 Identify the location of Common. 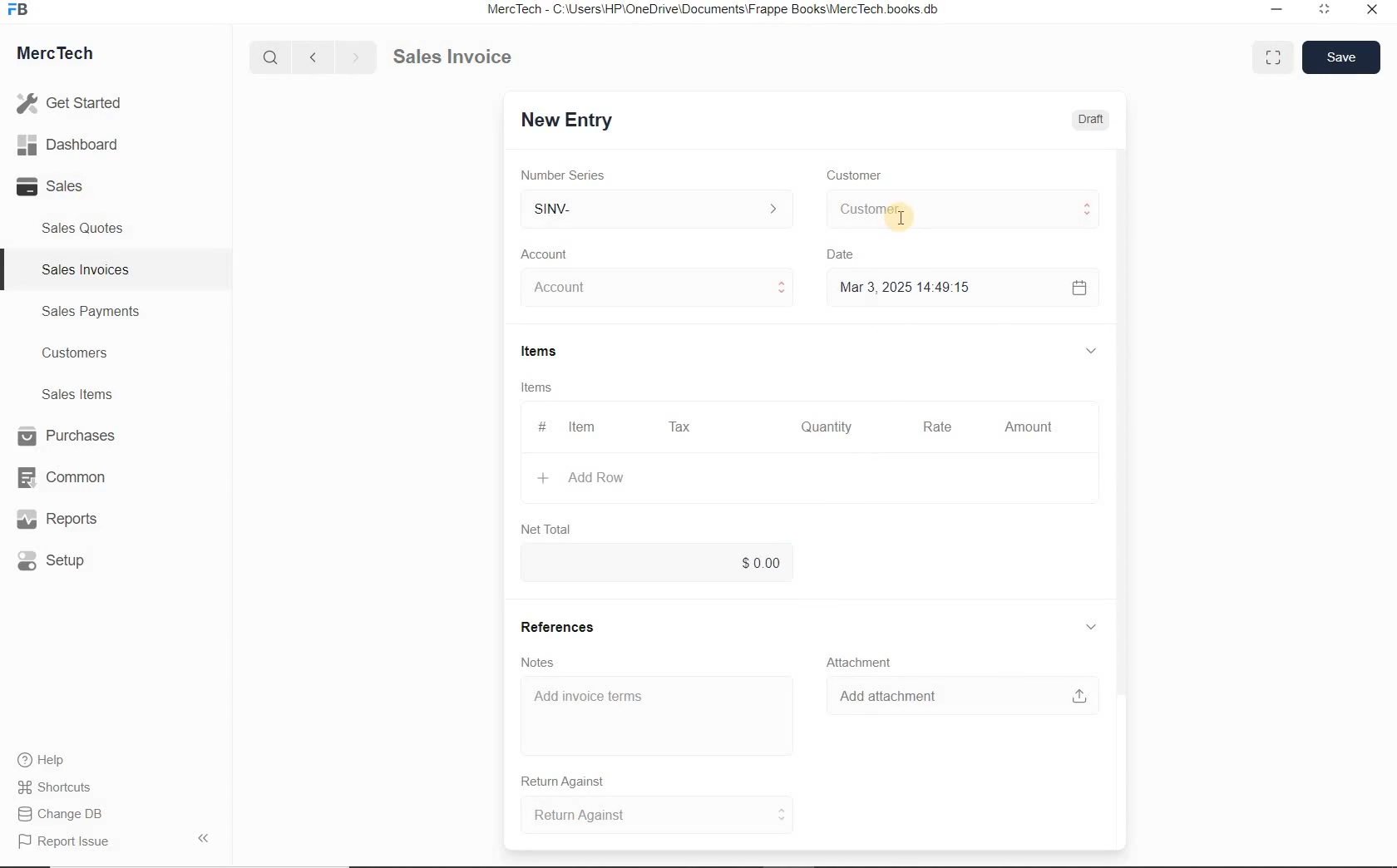
(69, 476).